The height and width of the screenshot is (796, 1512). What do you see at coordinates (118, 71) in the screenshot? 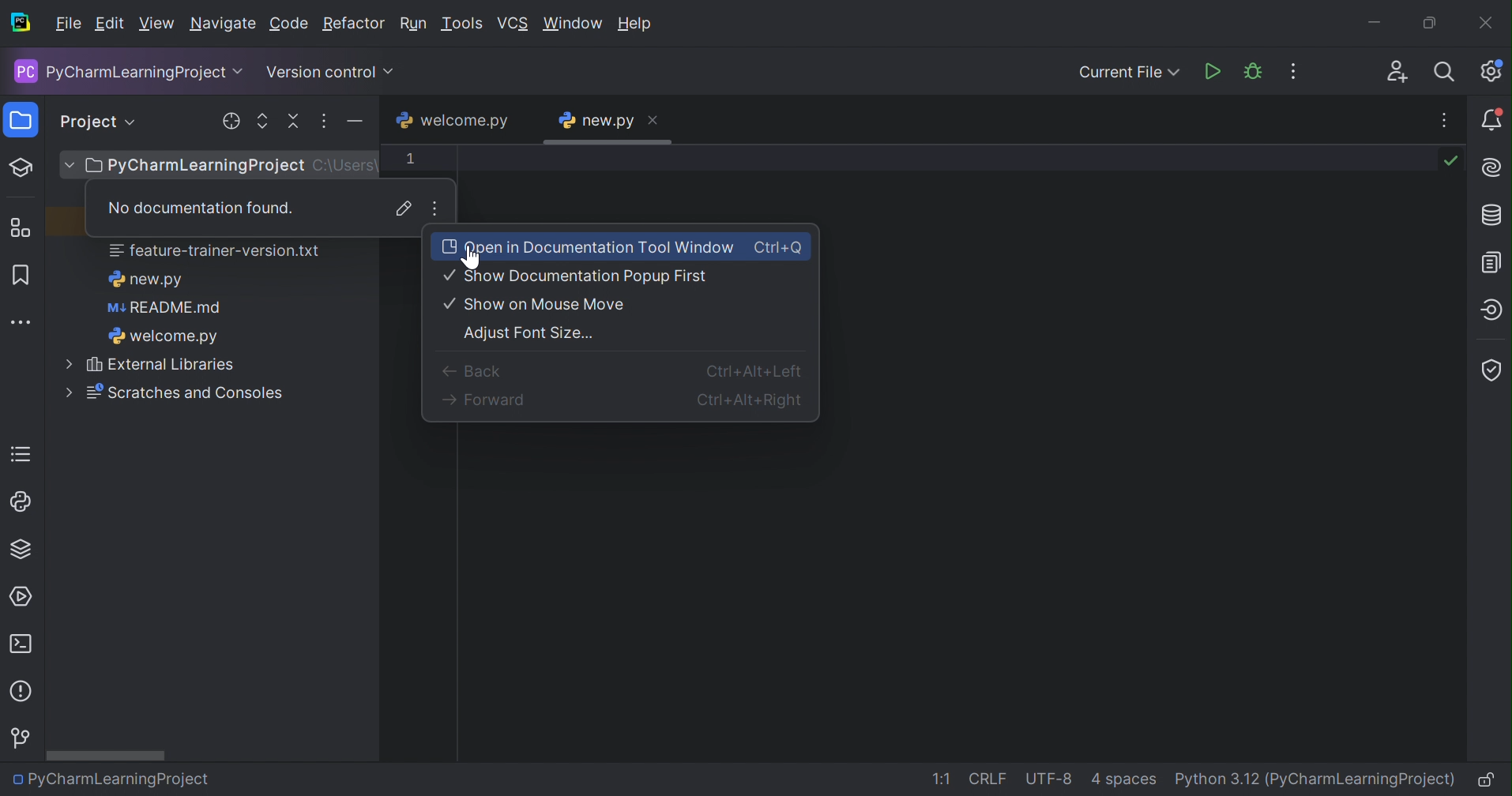
I see `PyCharmLearningProject` at bounding box center [118, 71].